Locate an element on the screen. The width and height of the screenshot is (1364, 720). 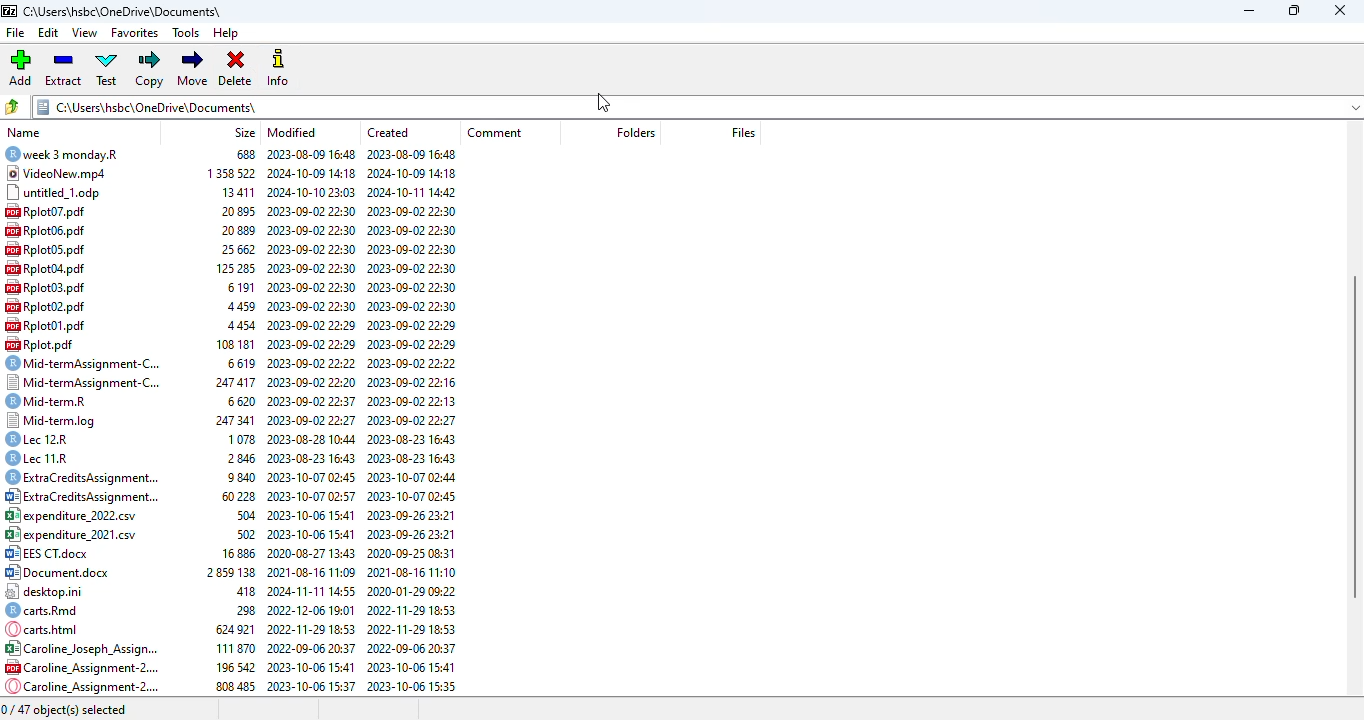
2023-10-07 02:45 is located at coordinates (414, 498).